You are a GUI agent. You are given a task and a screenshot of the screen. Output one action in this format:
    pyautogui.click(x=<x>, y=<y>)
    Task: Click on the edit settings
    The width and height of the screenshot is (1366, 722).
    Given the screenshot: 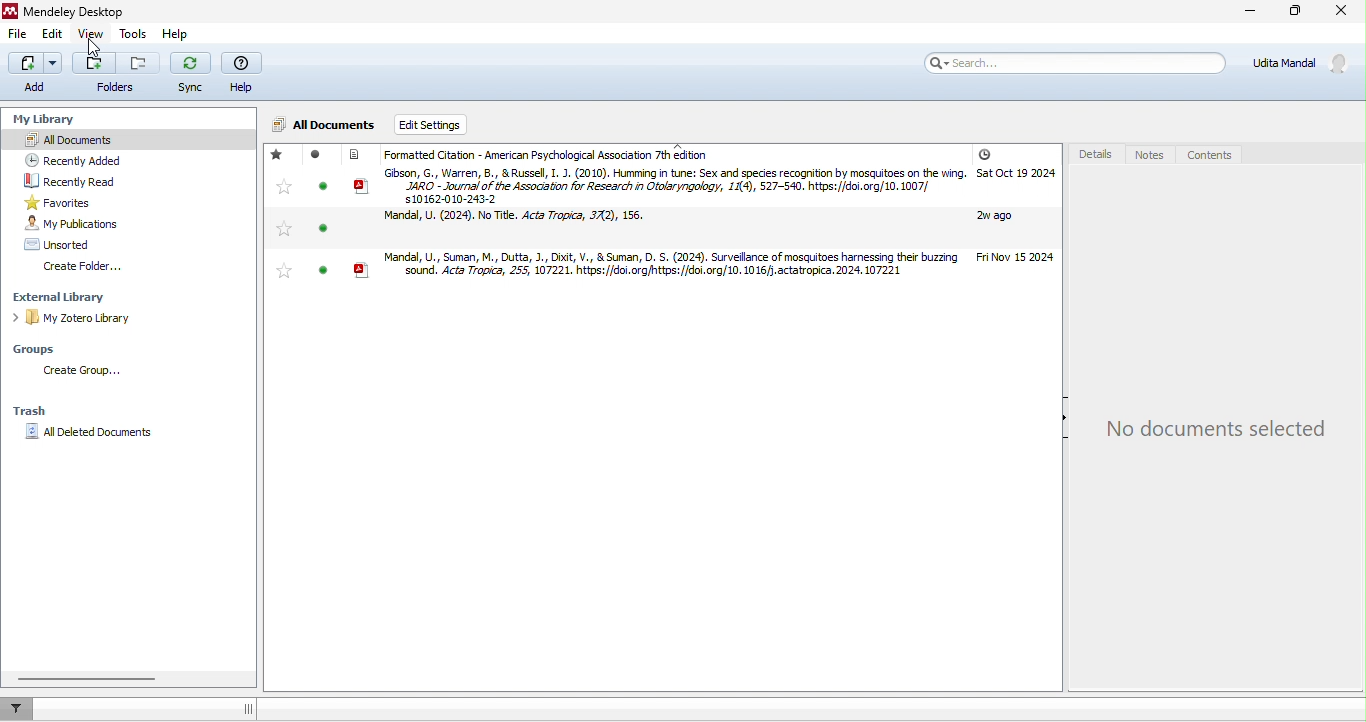 What is the action you would take?
    pyautogui.click(x=431, y=124)
    